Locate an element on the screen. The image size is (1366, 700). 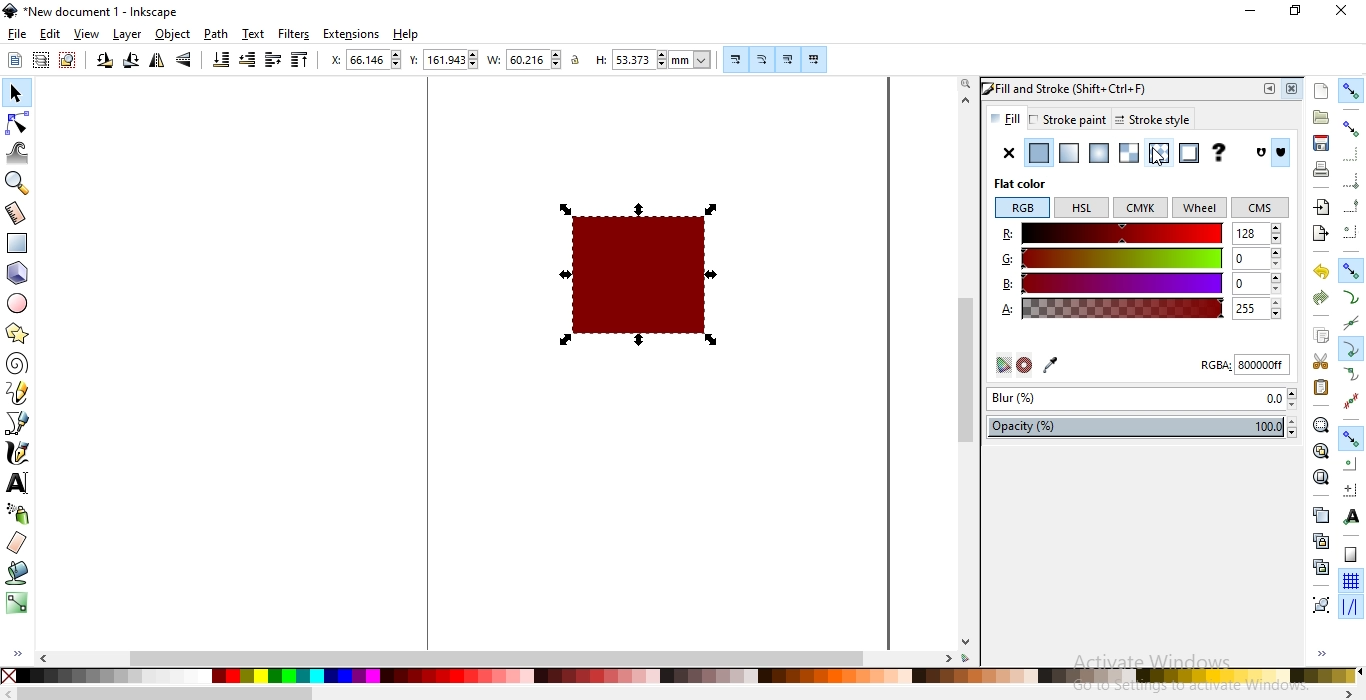
linear gradient is located at coordinates (1068, 153).